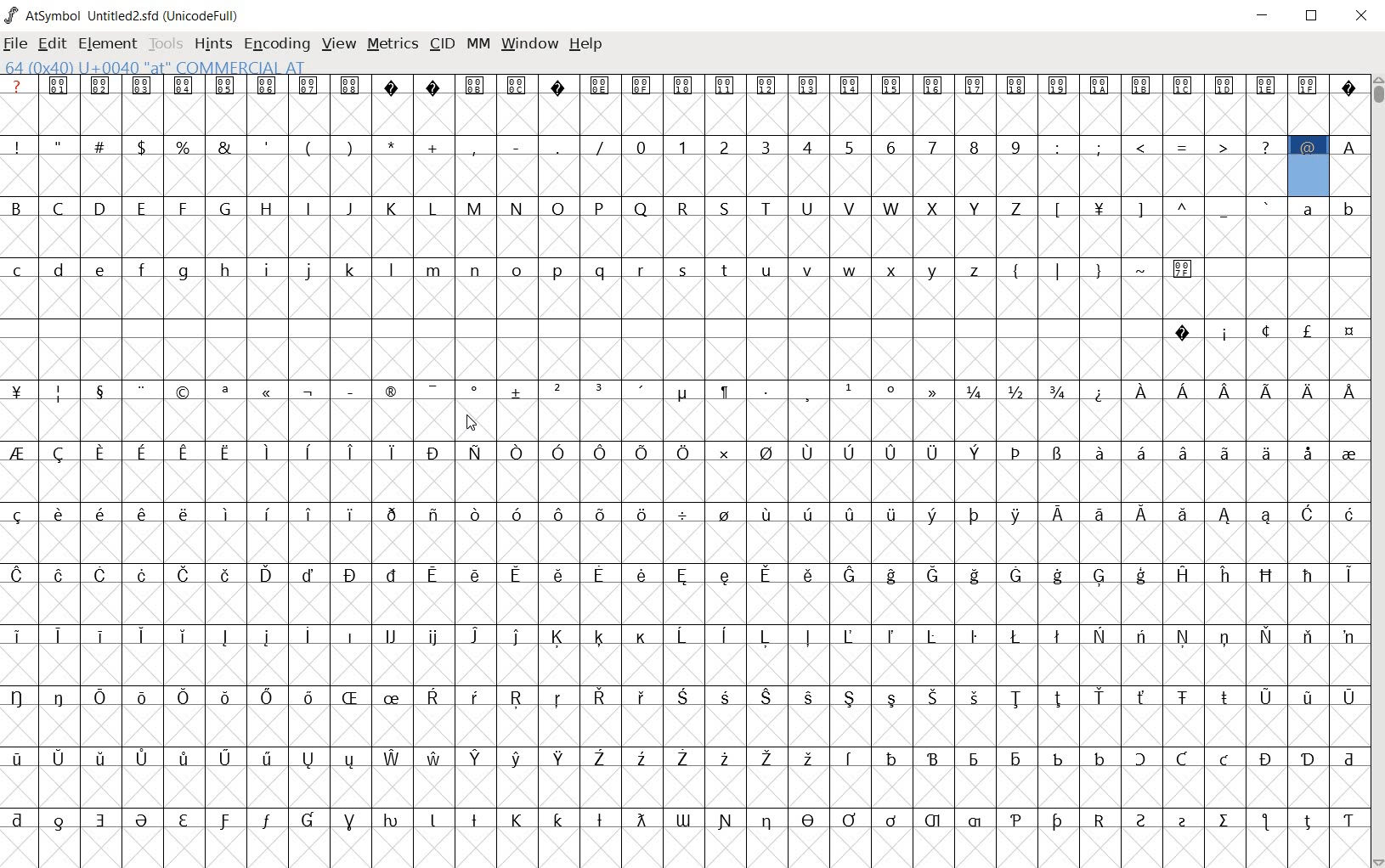  I want to click on file, so click(15, 45).